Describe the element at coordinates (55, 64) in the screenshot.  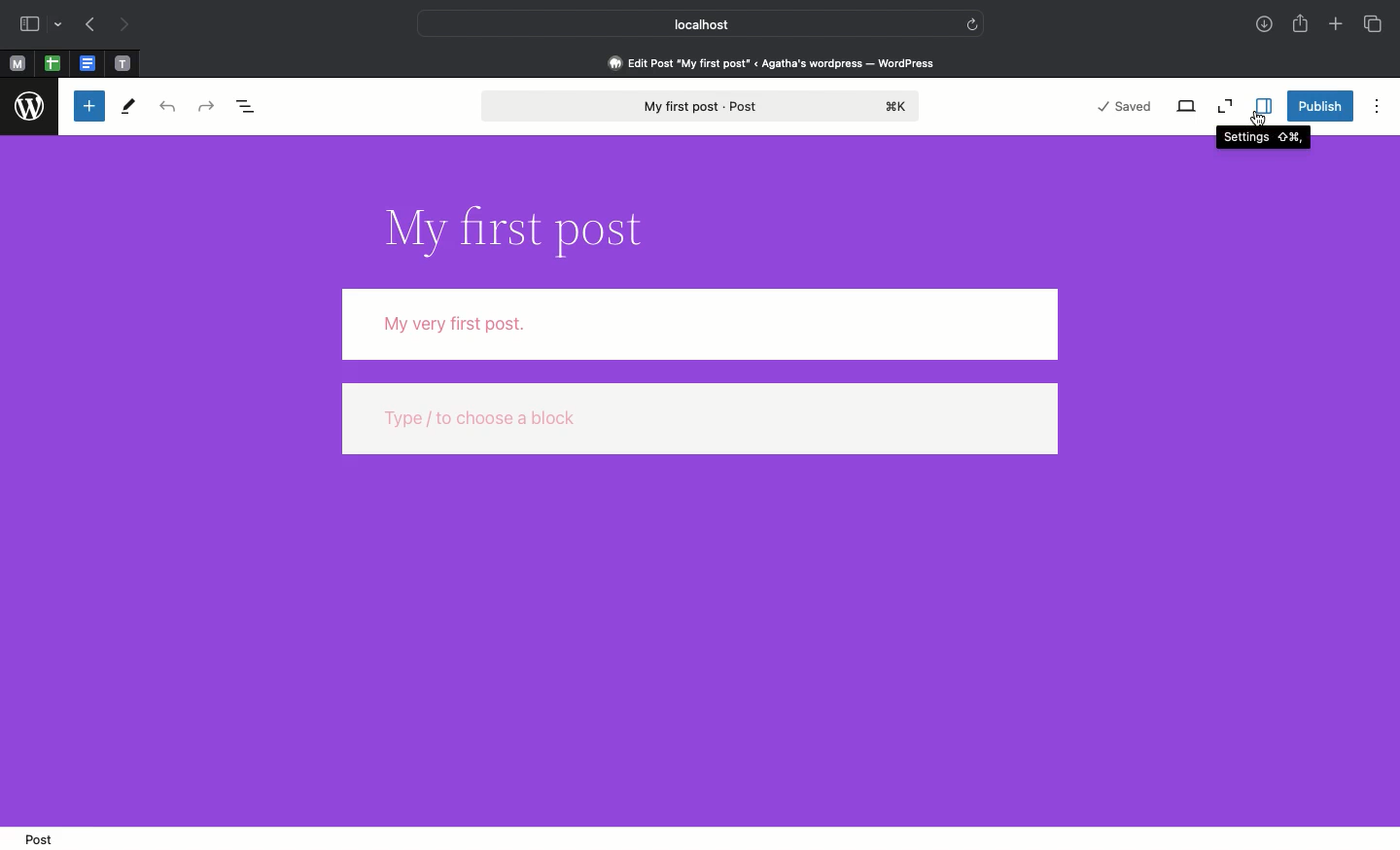
I see `pinned tabs` at that location.